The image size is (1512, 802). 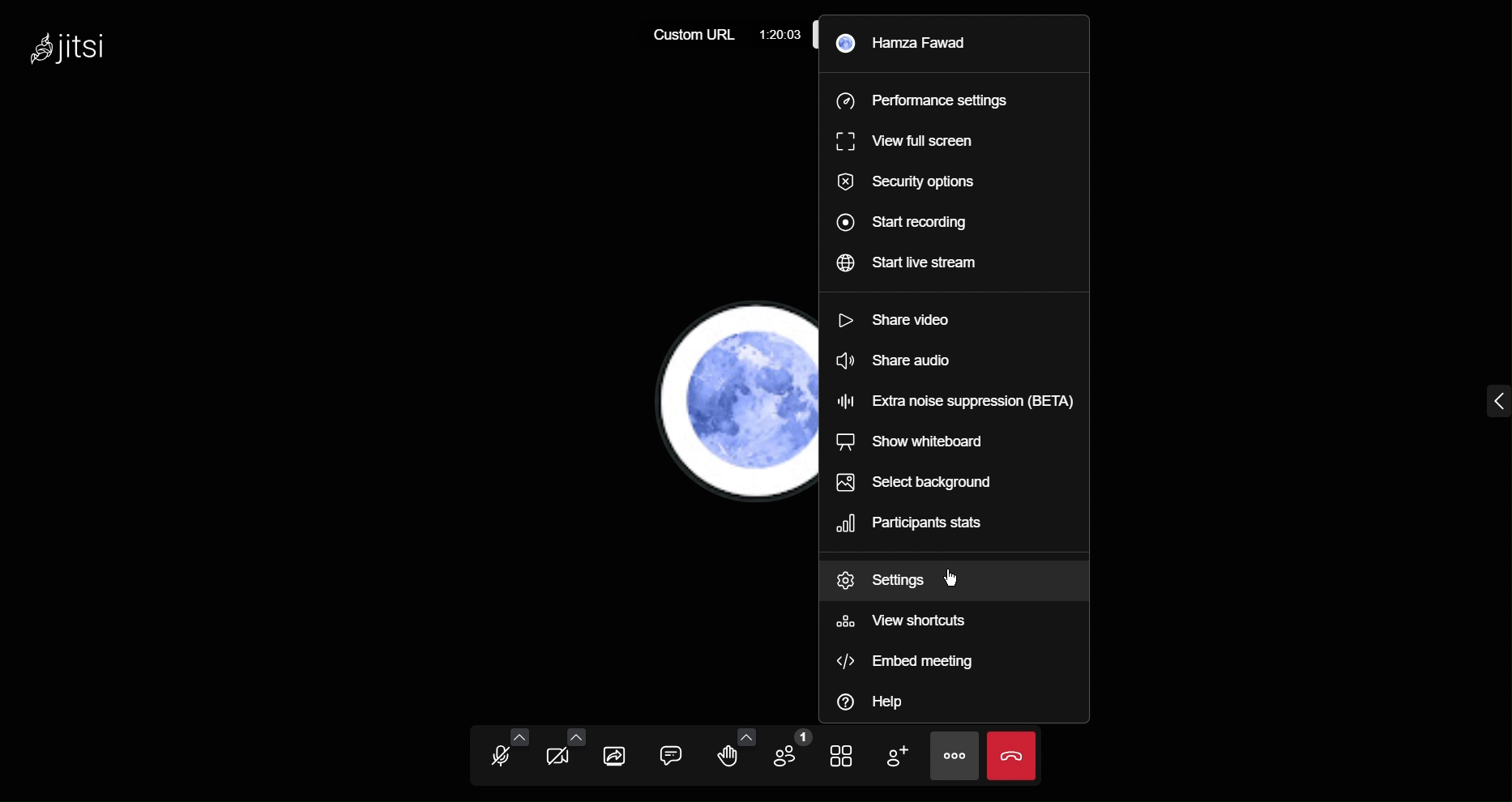 I want to click on Close Call, so click(x=1011, y=756).